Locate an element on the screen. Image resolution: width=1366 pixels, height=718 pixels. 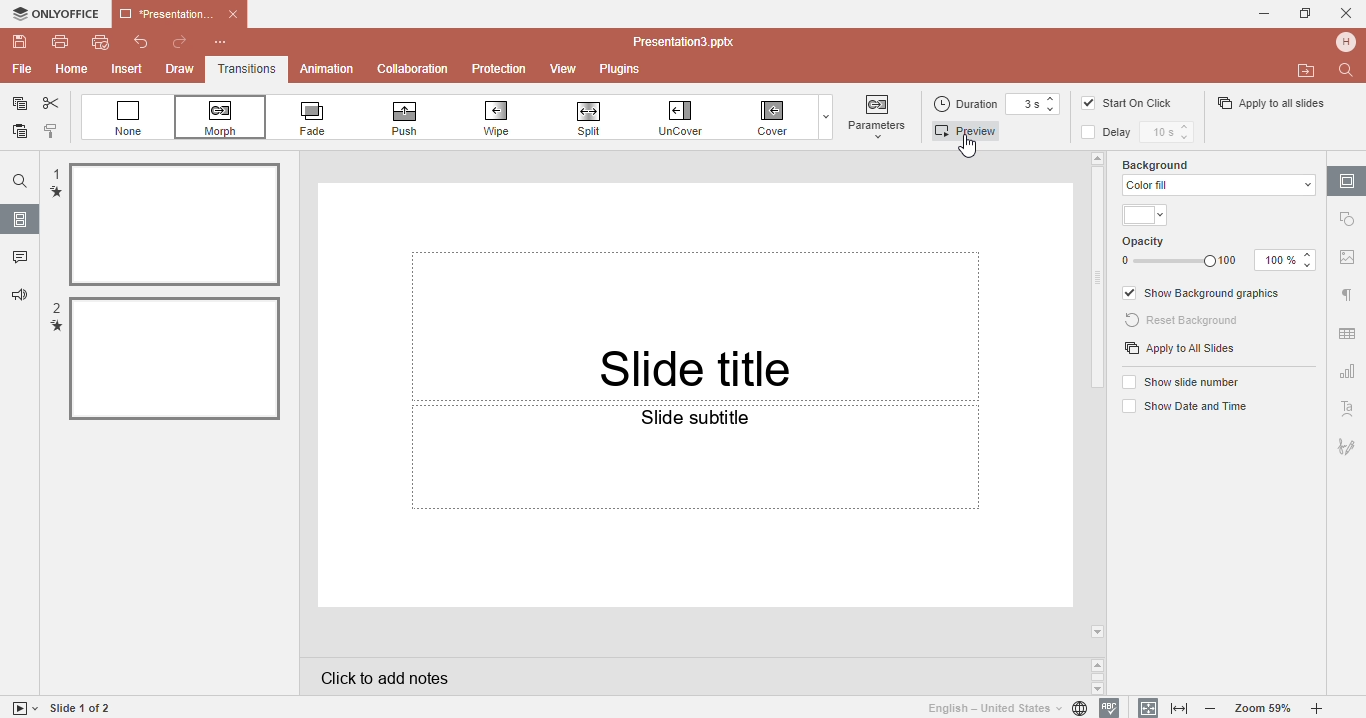
Apply to all slides is located at coordinates (1180, 350).